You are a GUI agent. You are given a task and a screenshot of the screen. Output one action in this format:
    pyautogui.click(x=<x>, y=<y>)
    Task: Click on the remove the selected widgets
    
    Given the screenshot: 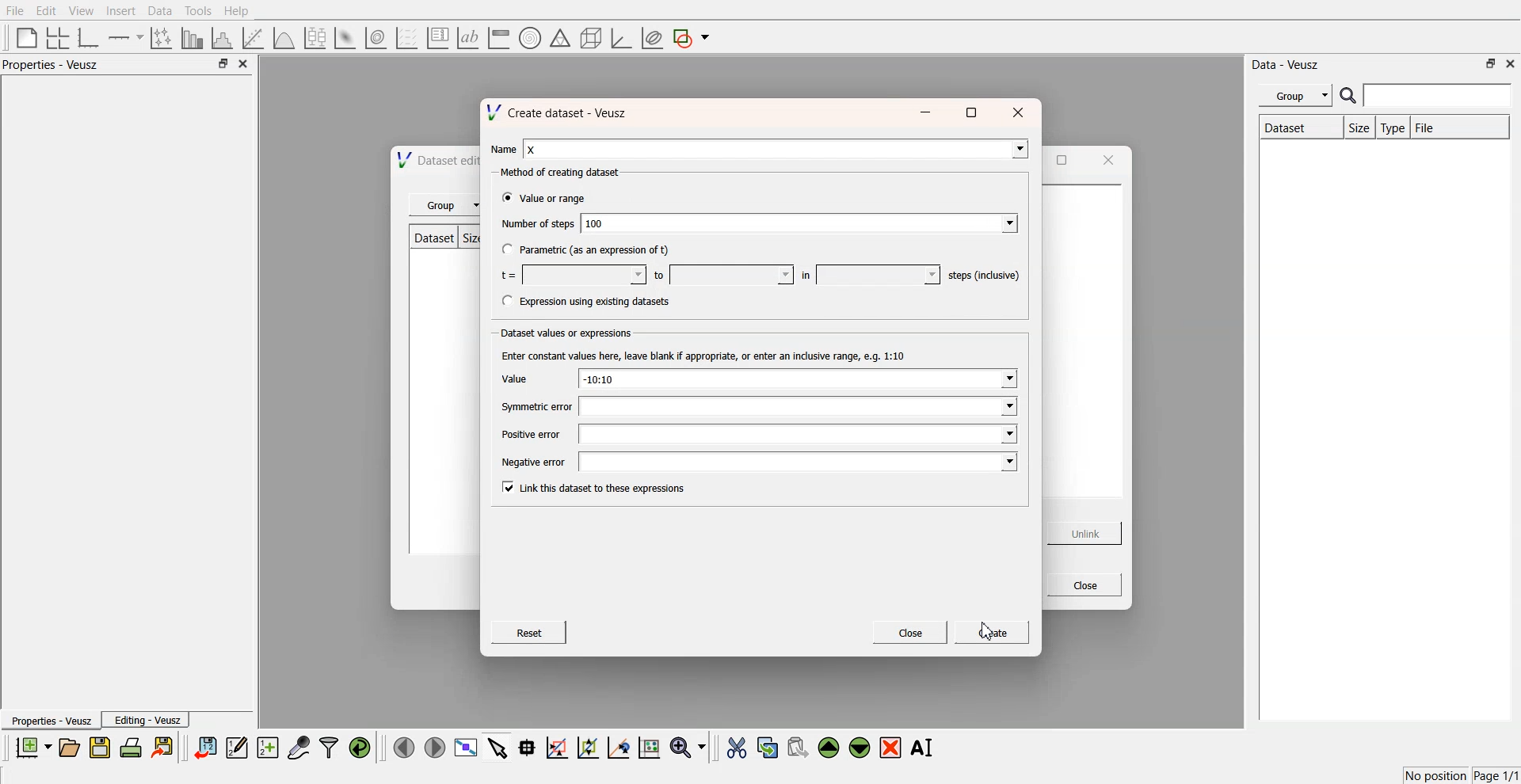 What is the action you would take?
    pyautogui.click(x=892, y=748)
    